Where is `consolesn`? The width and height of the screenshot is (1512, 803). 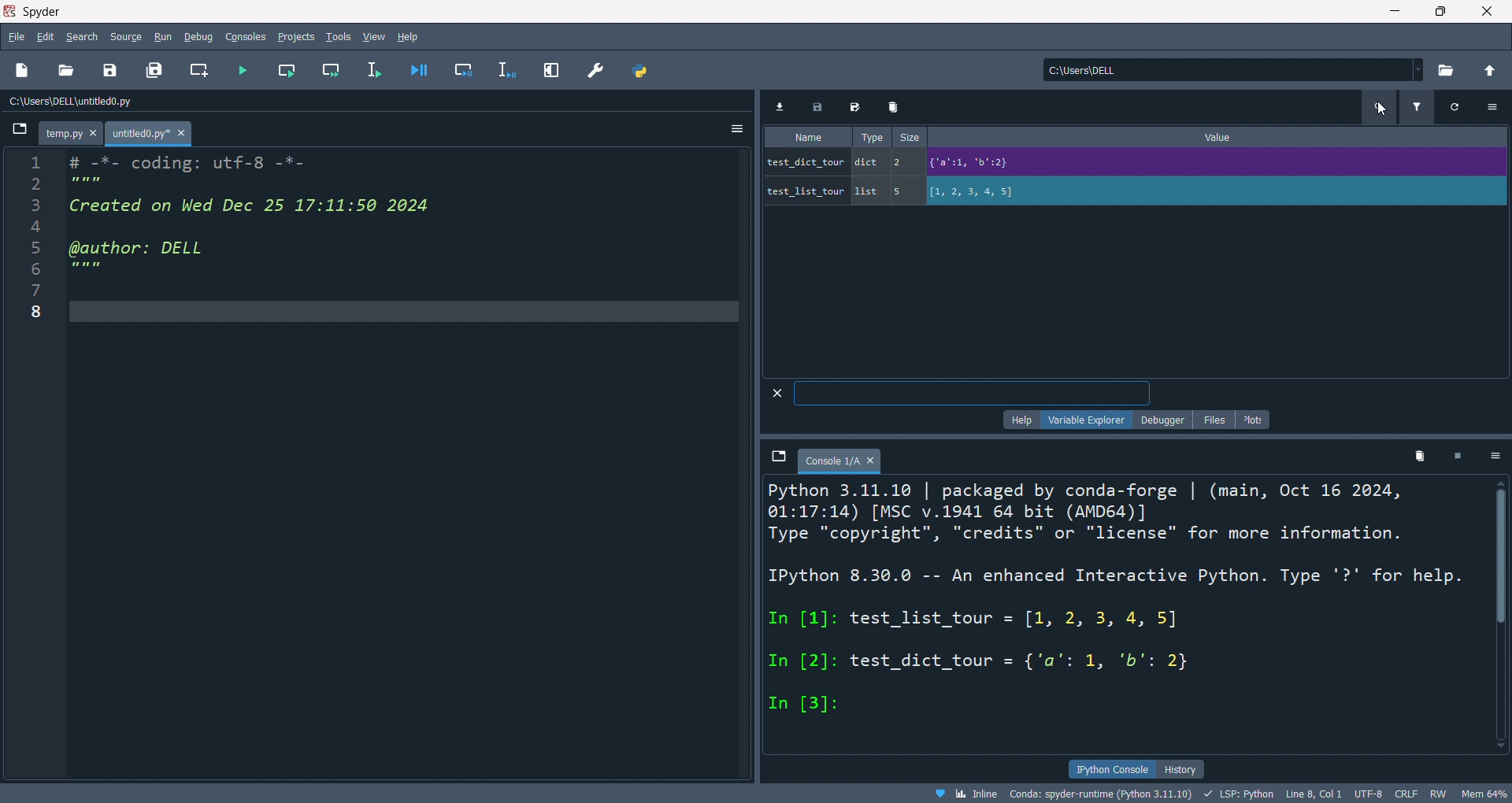 consolesn is located at coordinates (239, 36).